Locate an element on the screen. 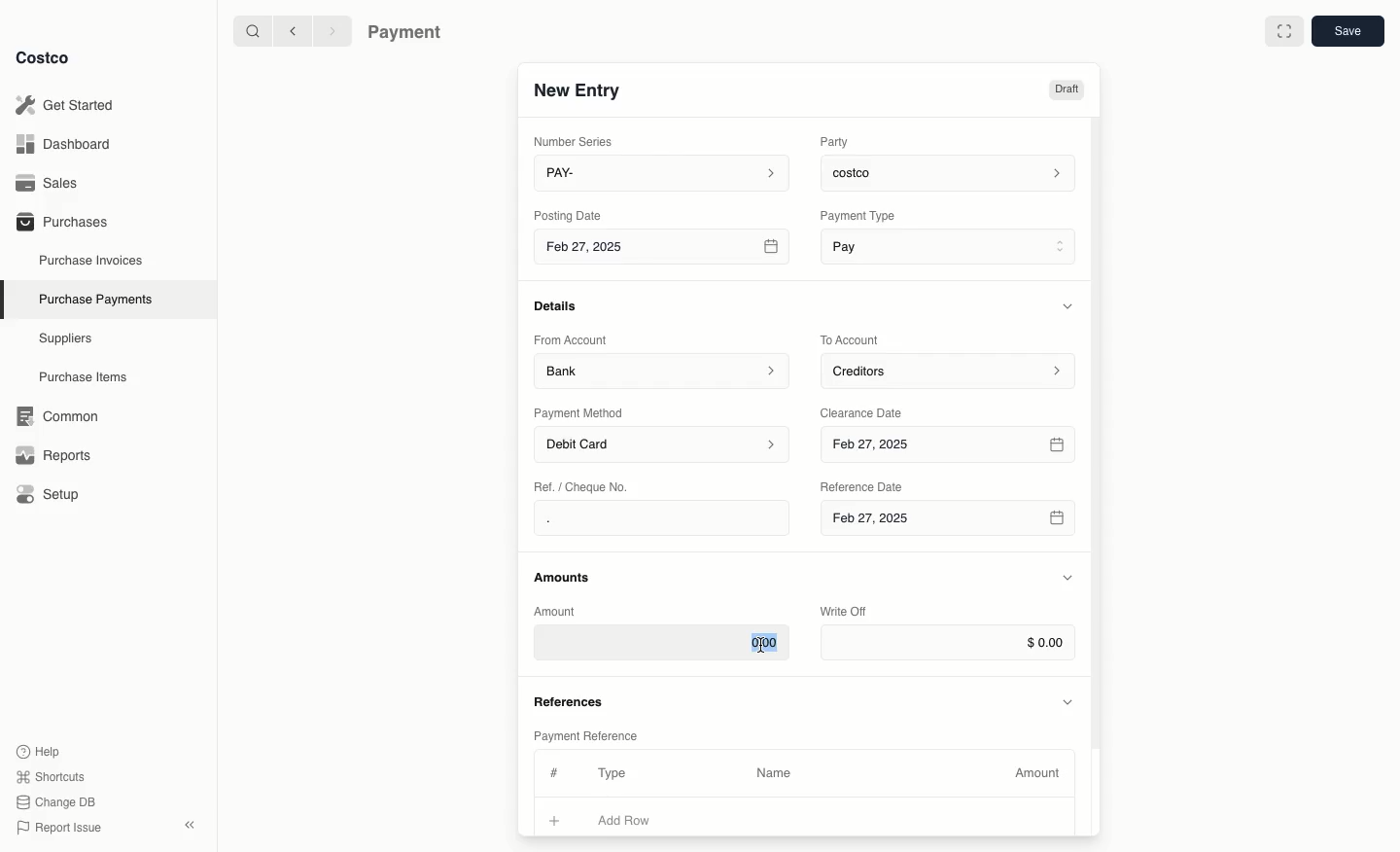 The height and width of the screenshot is (852, 1400). Change DB is located at coordinates (59, 802).